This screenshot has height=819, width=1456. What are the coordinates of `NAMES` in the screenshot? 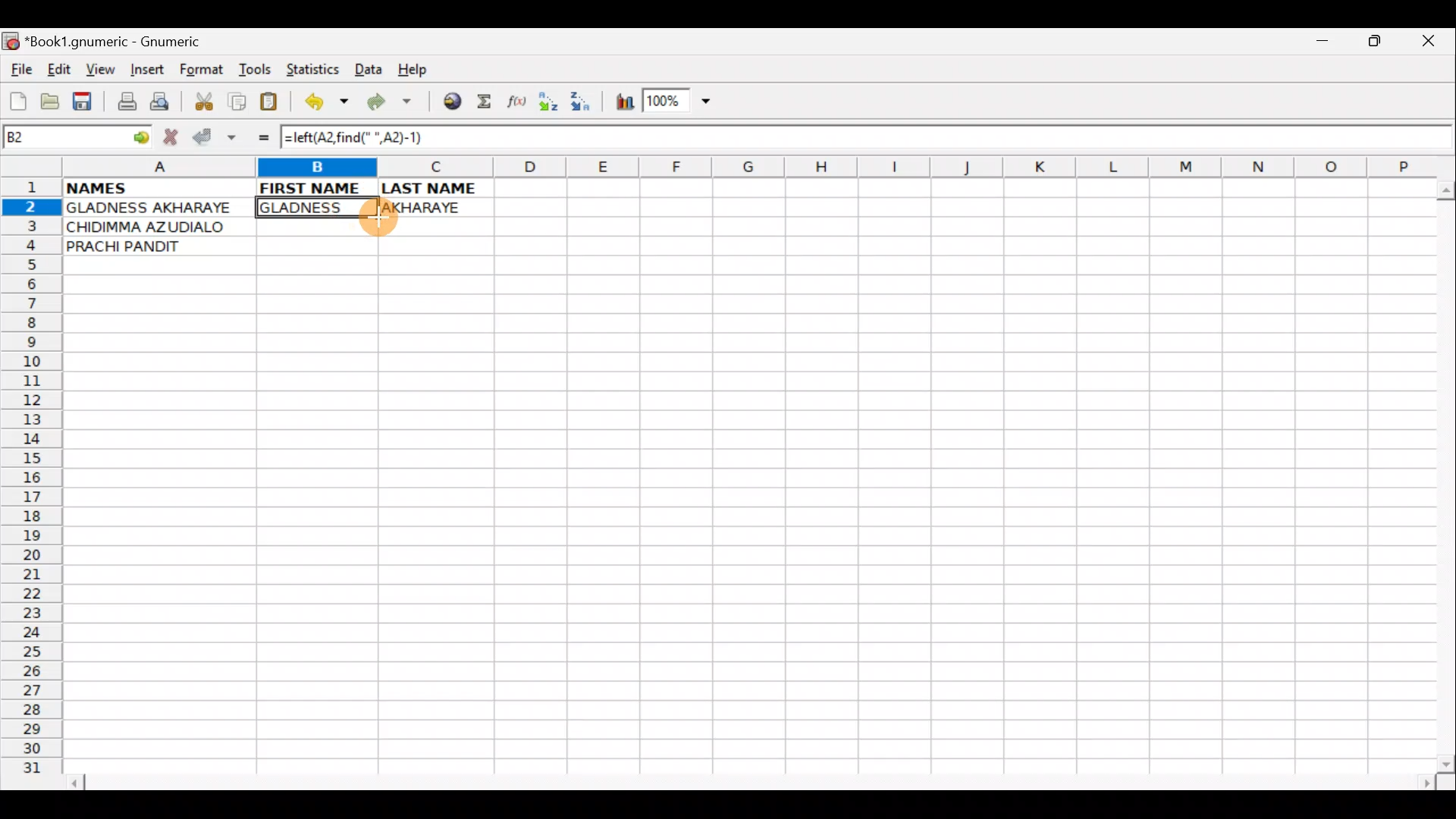 It's located at (142, 187).